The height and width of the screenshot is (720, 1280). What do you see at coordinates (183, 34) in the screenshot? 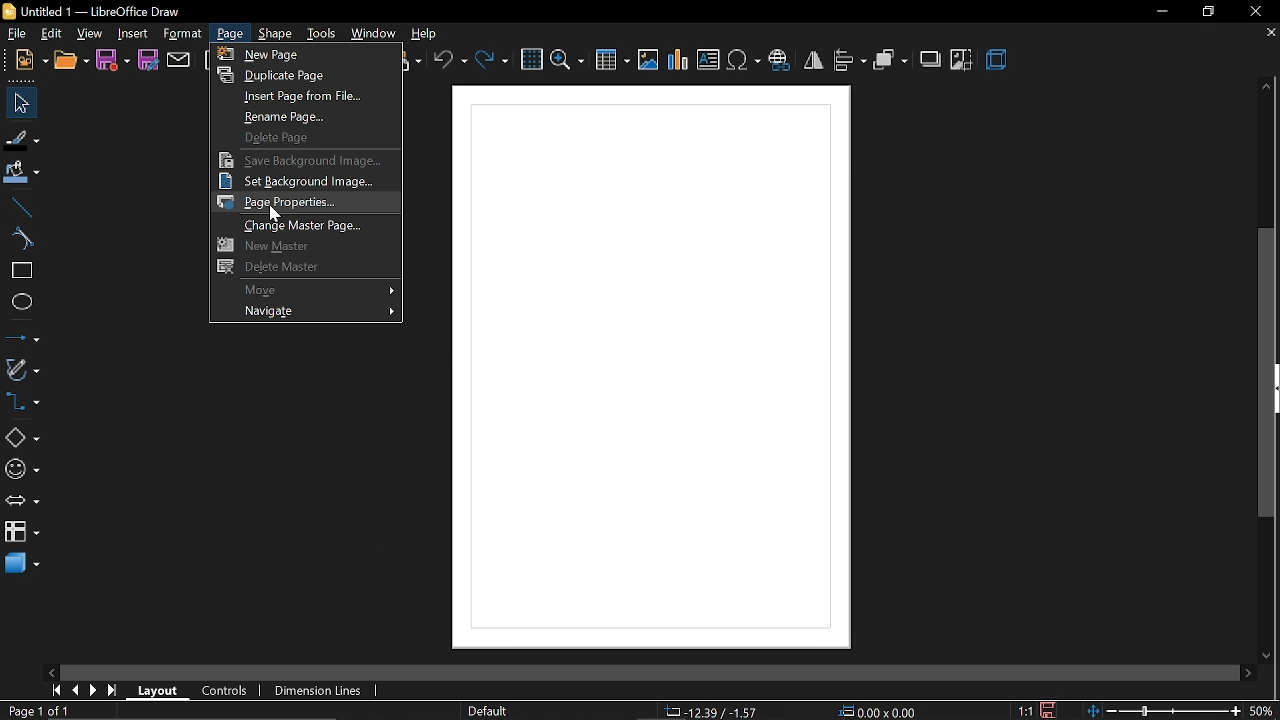
I see `format` at bounding box center [183, 34].